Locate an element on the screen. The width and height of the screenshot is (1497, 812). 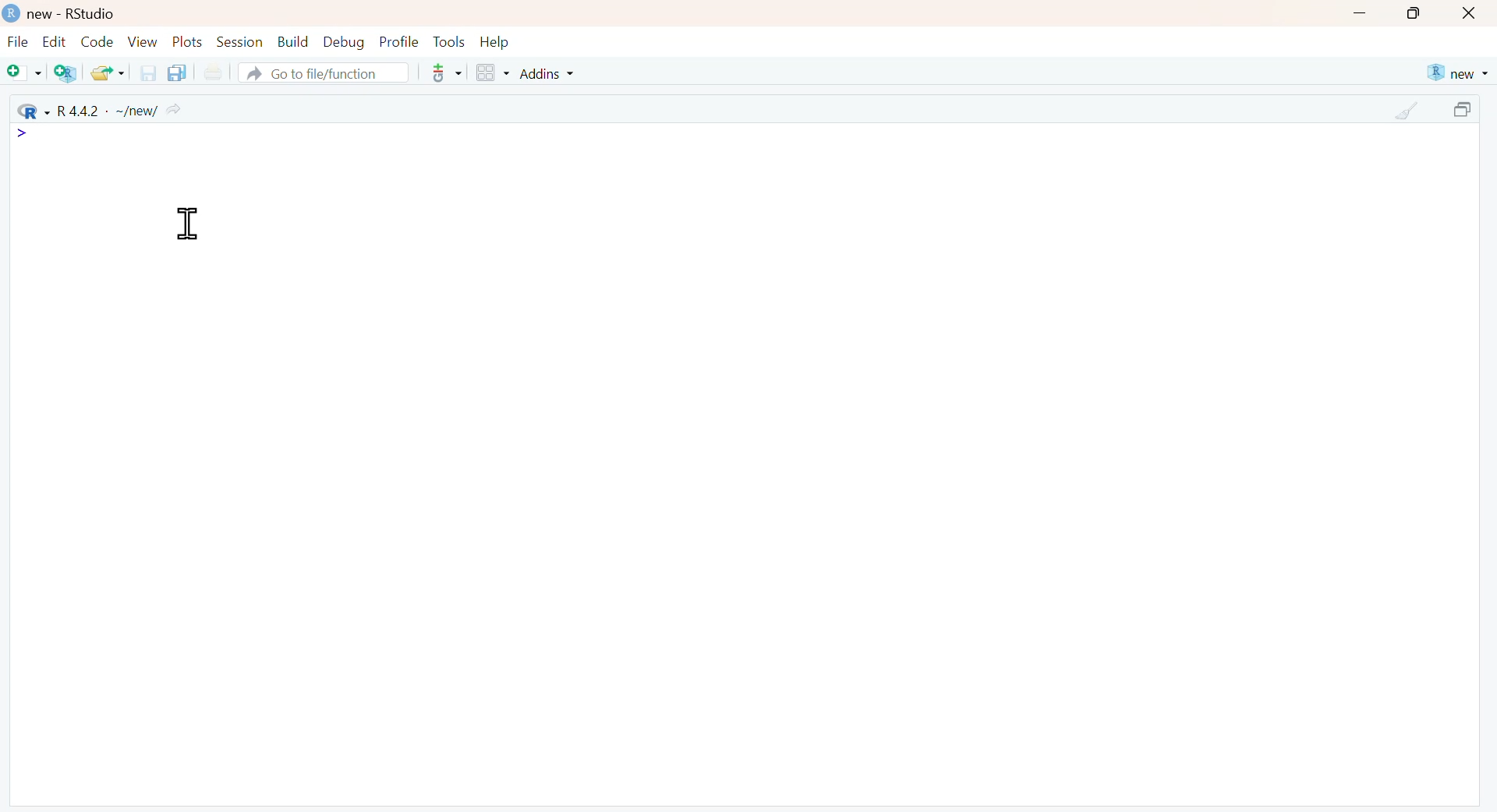
R 4.4.2 - ~/new/ is located at coordinates (101, 110).